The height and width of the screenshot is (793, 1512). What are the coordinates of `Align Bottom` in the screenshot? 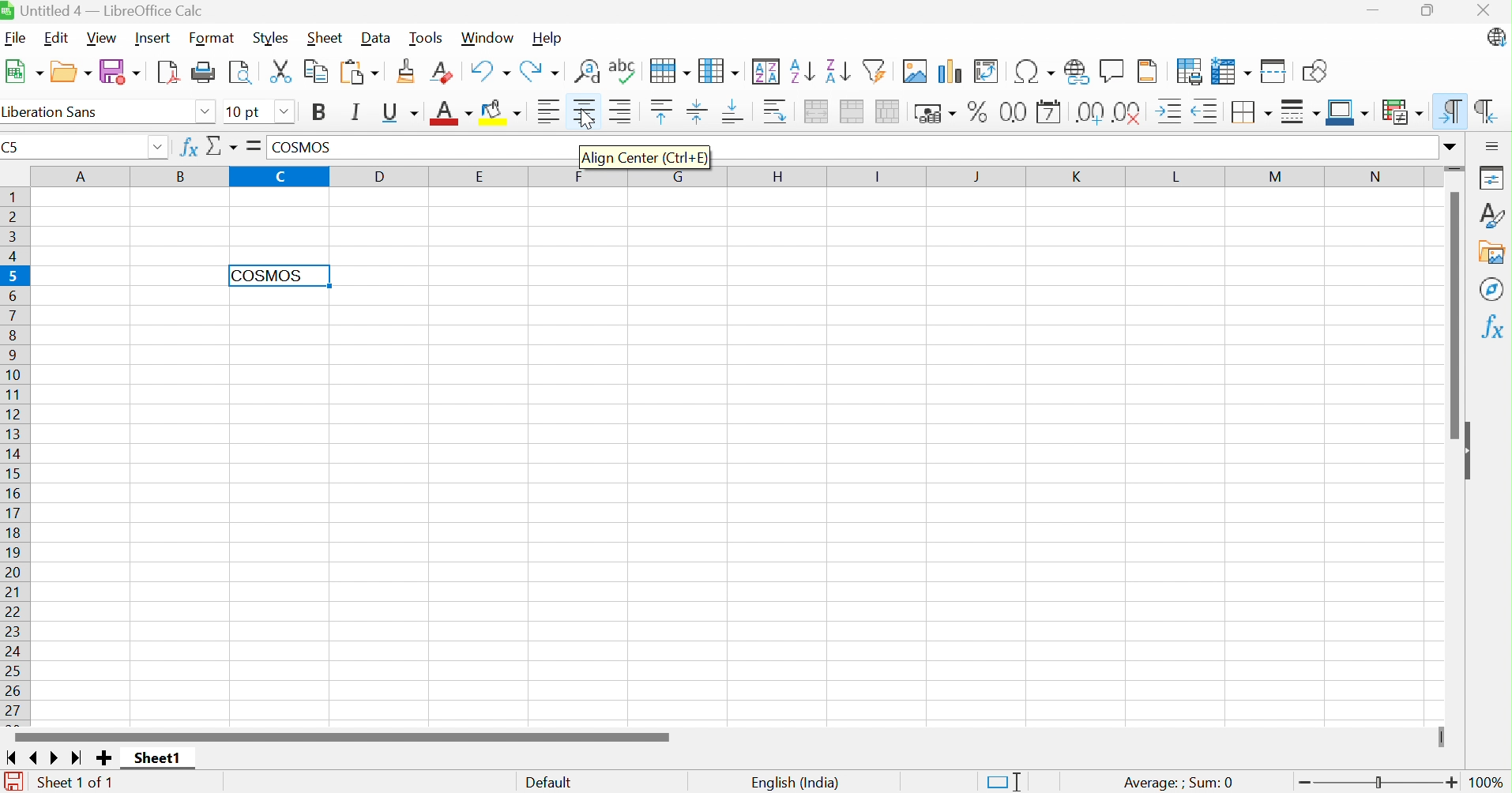 It's located at (733, 112).